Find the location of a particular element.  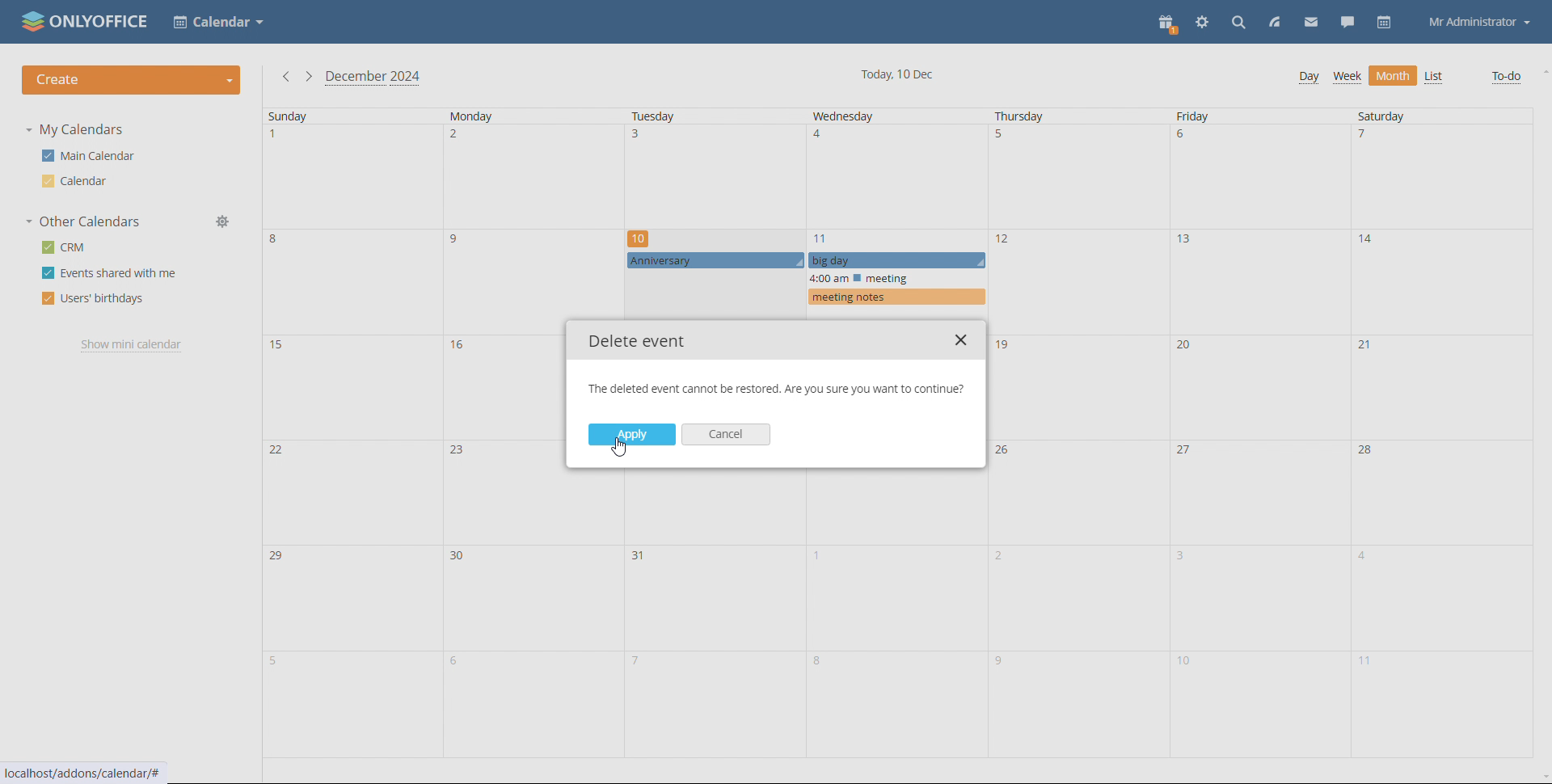

logo is located at coordinates (86, 20).